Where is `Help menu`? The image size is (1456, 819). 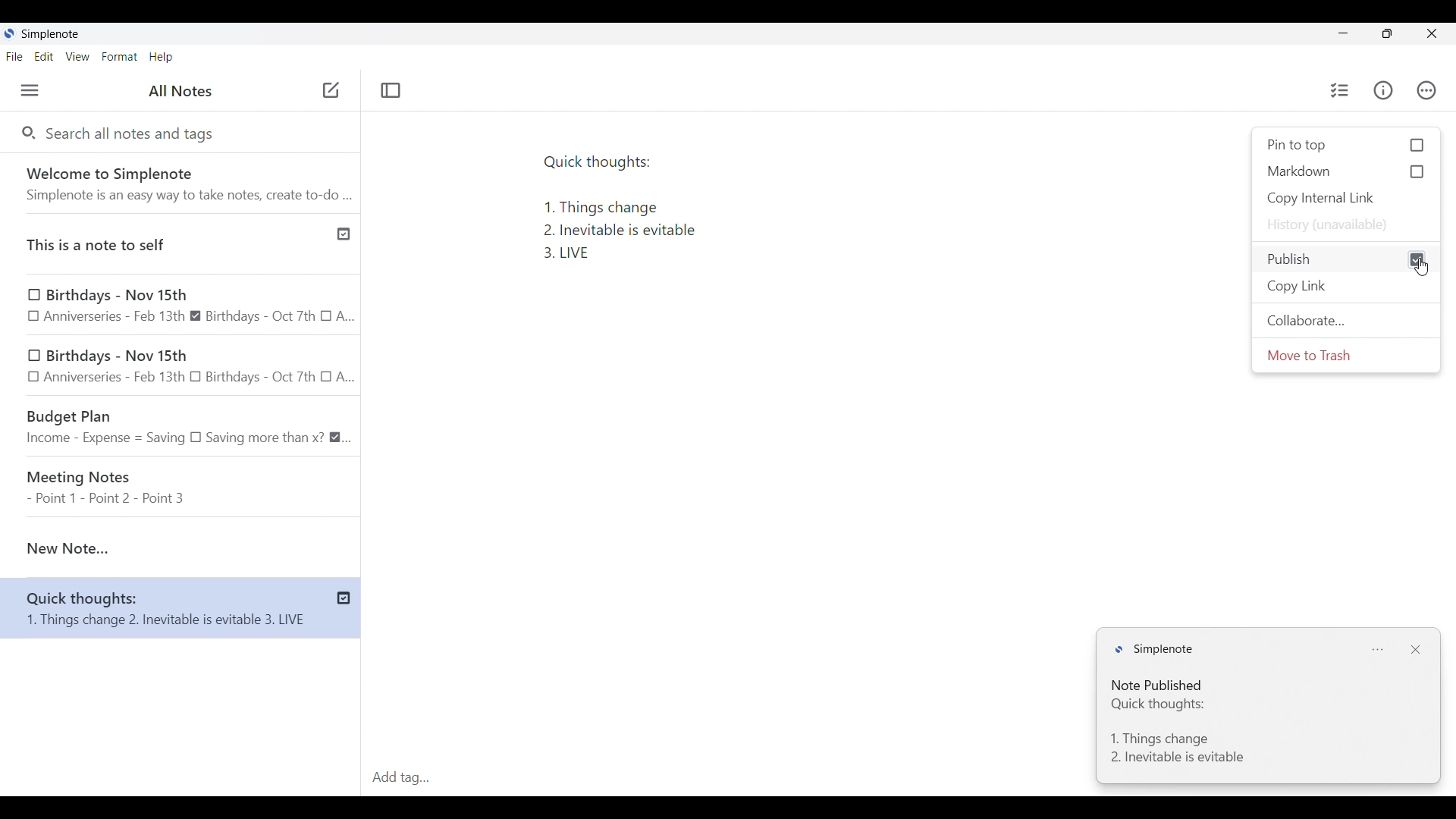
Help menu is located at coordinates (162, 58).